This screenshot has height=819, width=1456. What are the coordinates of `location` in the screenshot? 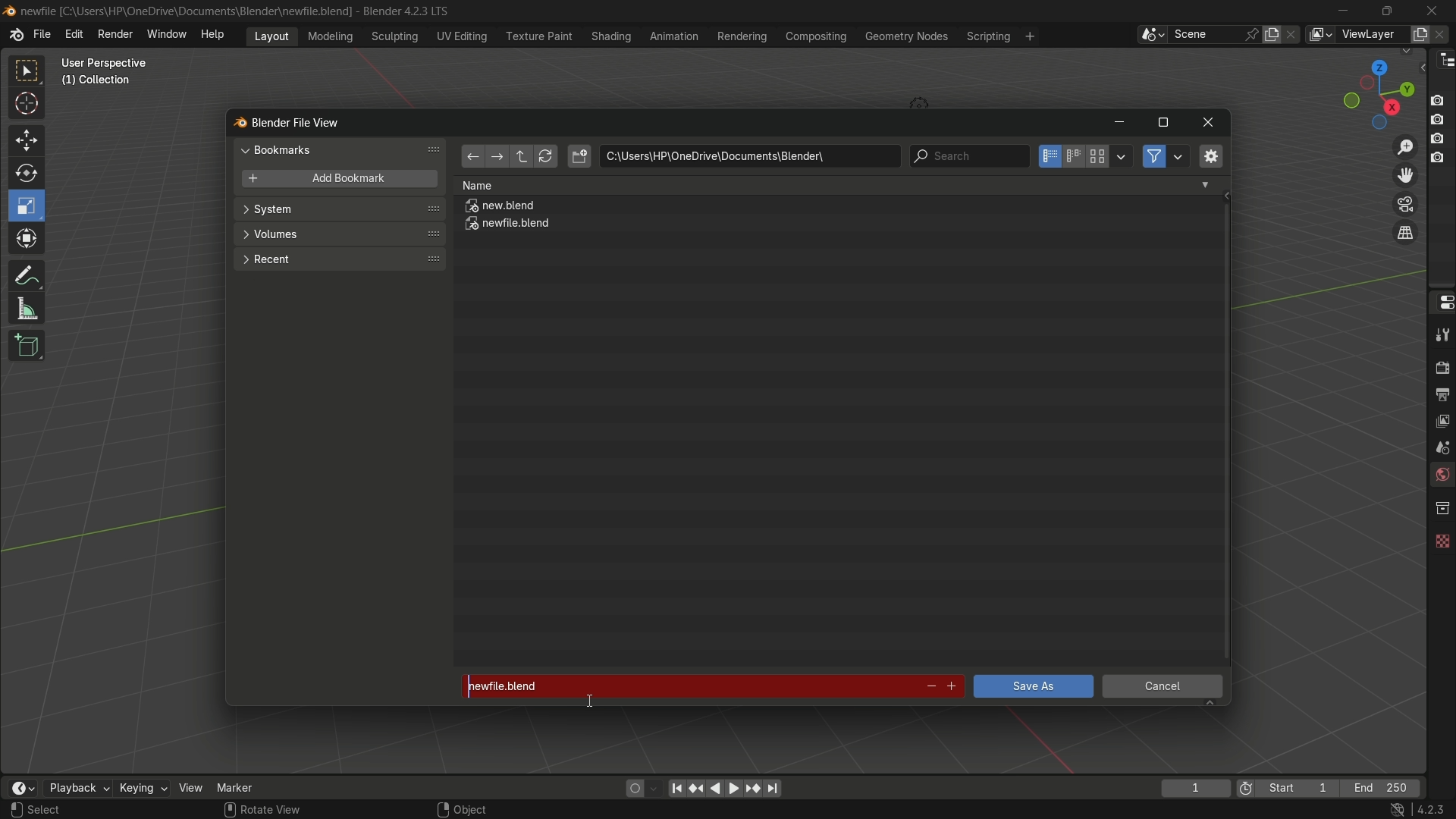 It's located at (749, 156).